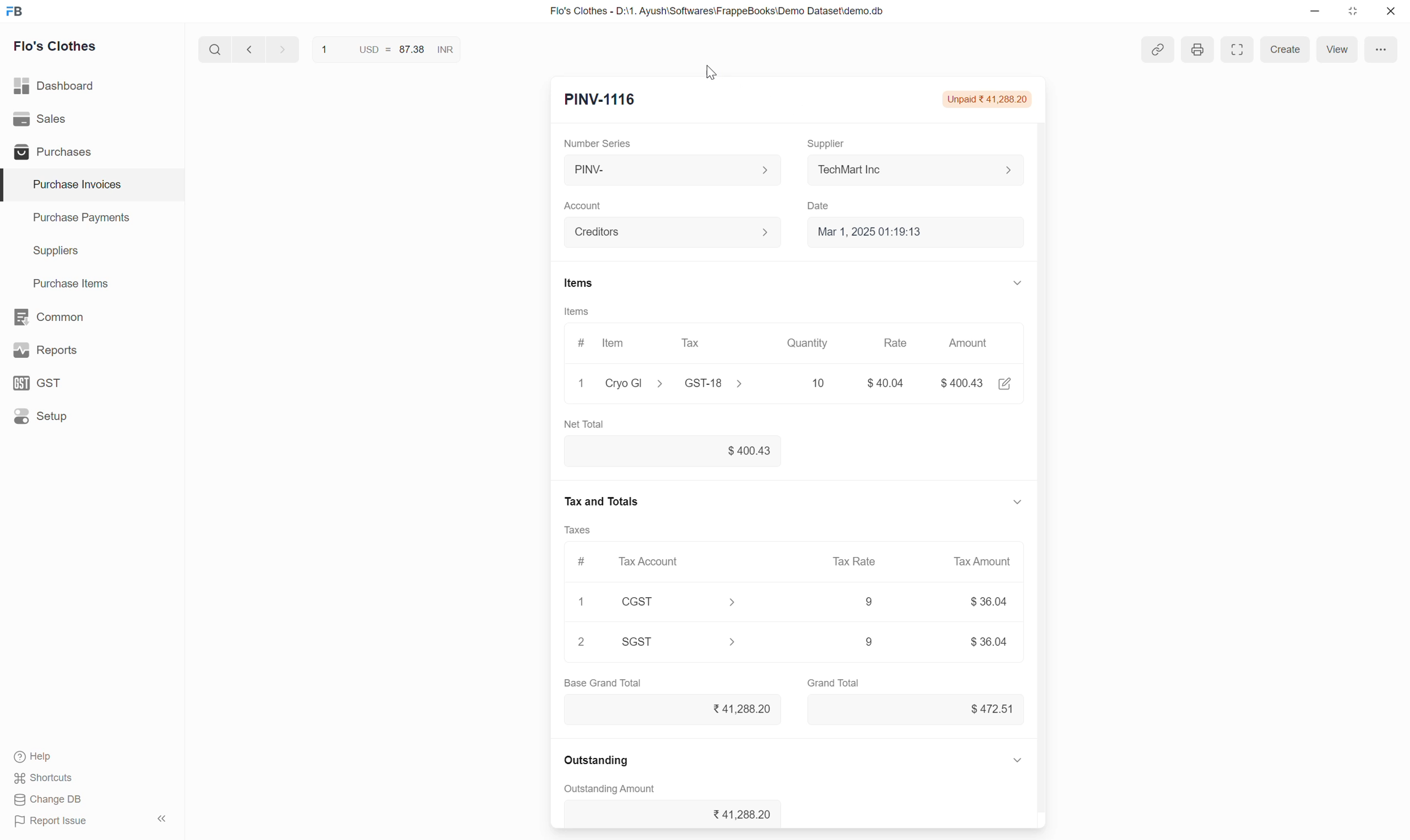 The width and height of the screenshot is (1410, 840). I want to click on edit, so click(1006, 385).